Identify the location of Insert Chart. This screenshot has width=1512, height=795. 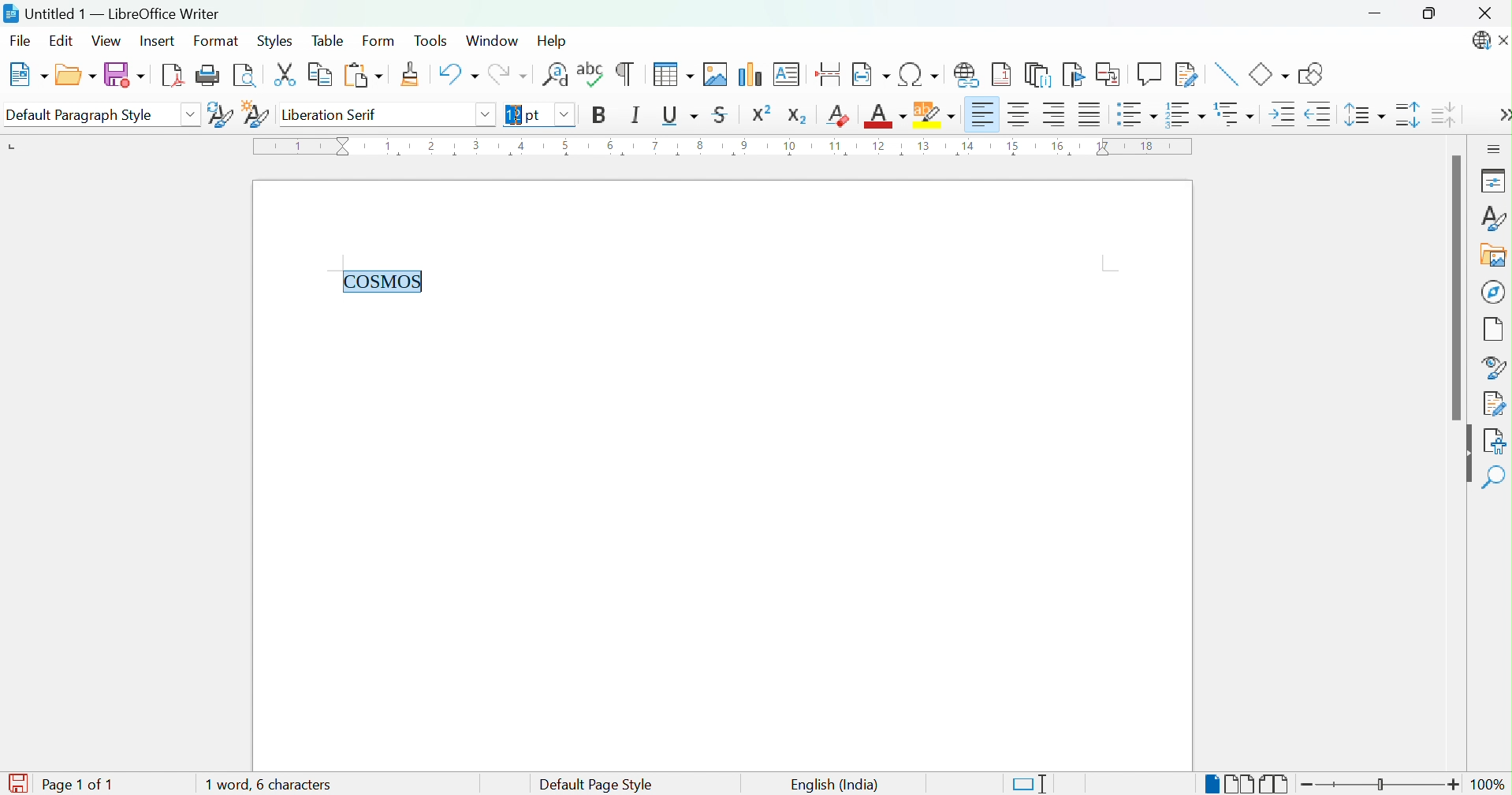
(750, 73).